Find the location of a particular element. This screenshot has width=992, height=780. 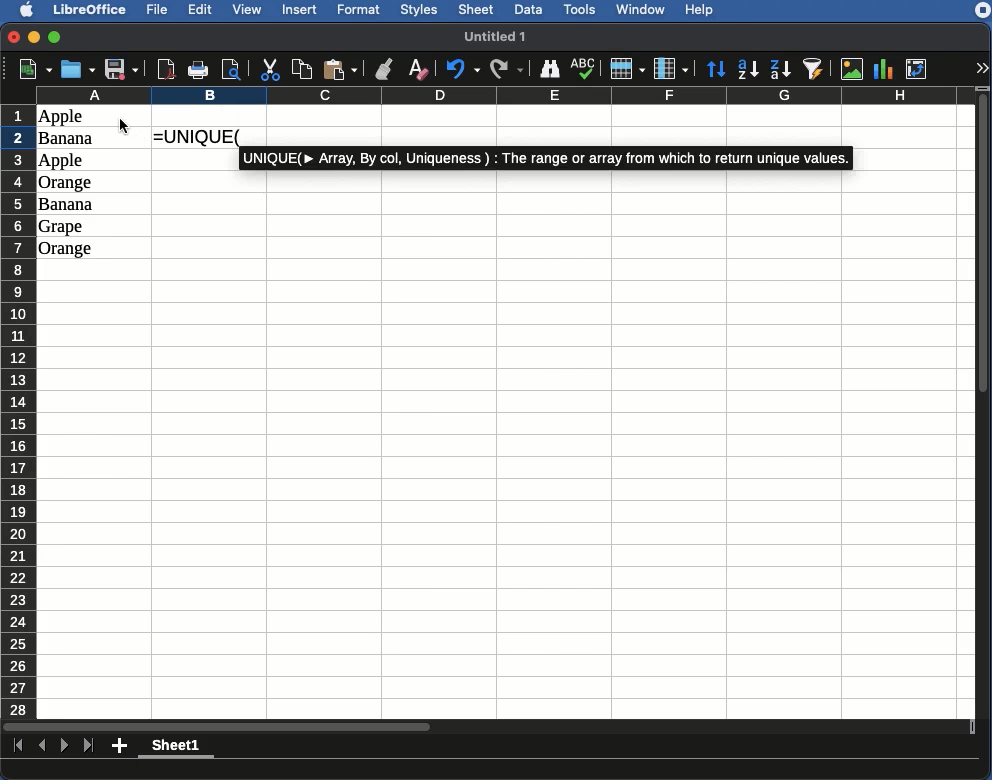

New is located at coordinates (30, 69).